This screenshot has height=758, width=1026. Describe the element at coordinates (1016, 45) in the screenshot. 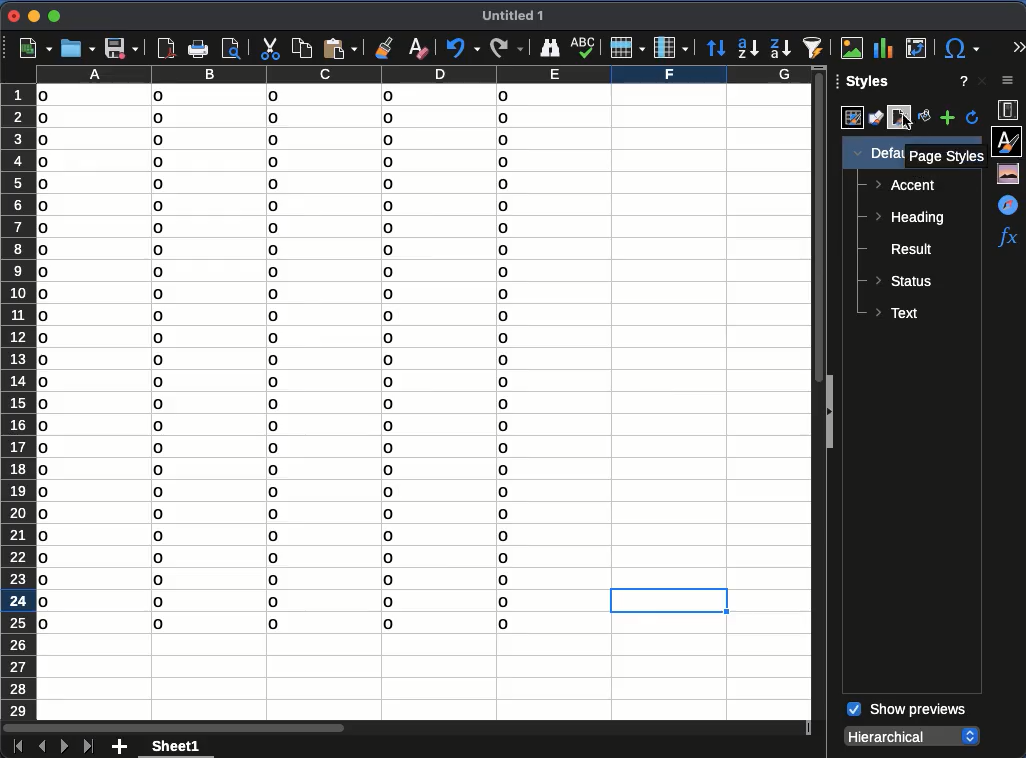

I see `expand` at that location.